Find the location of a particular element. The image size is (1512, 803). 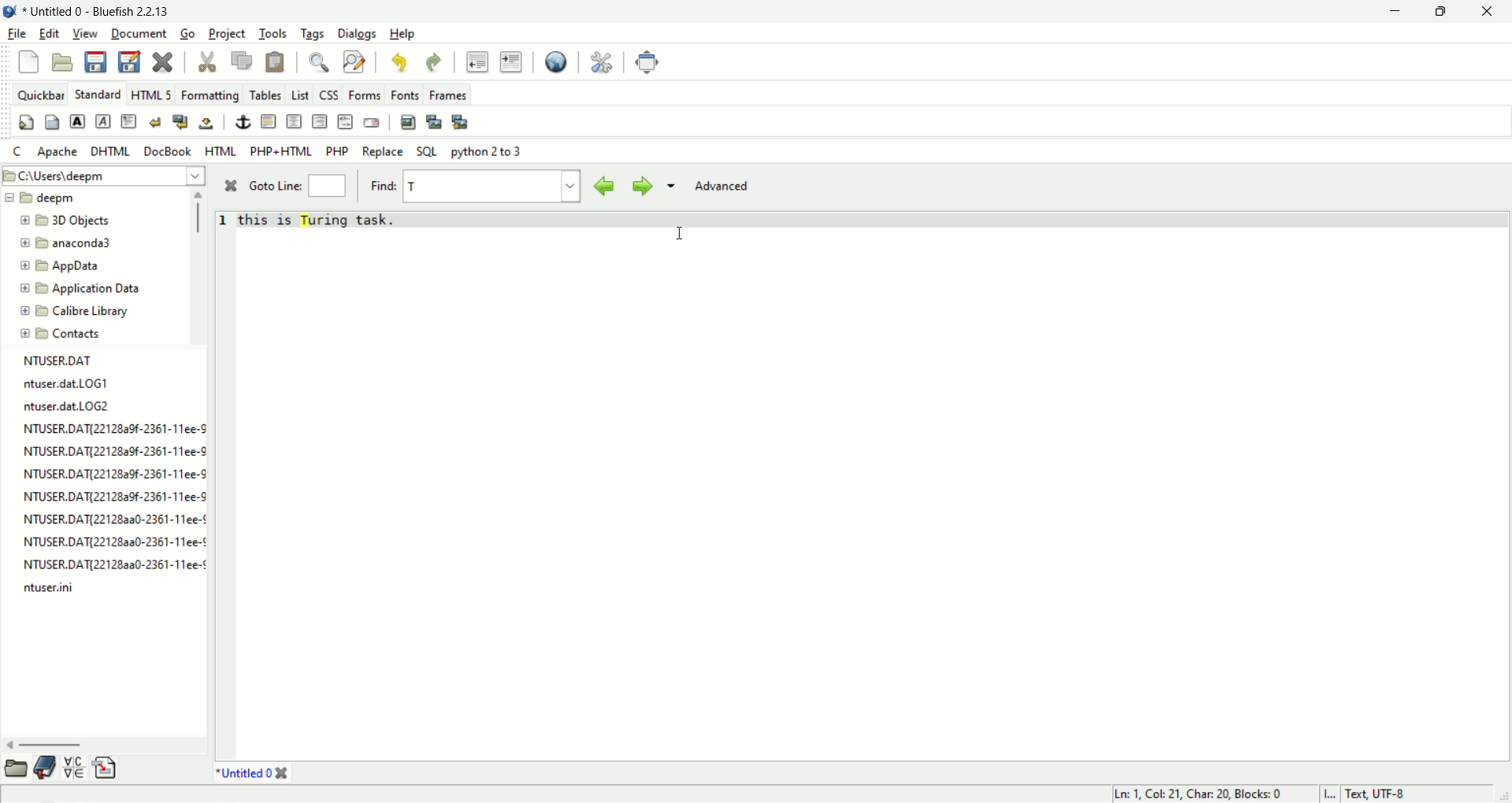

quickbar is located at coordinates (41, 95).